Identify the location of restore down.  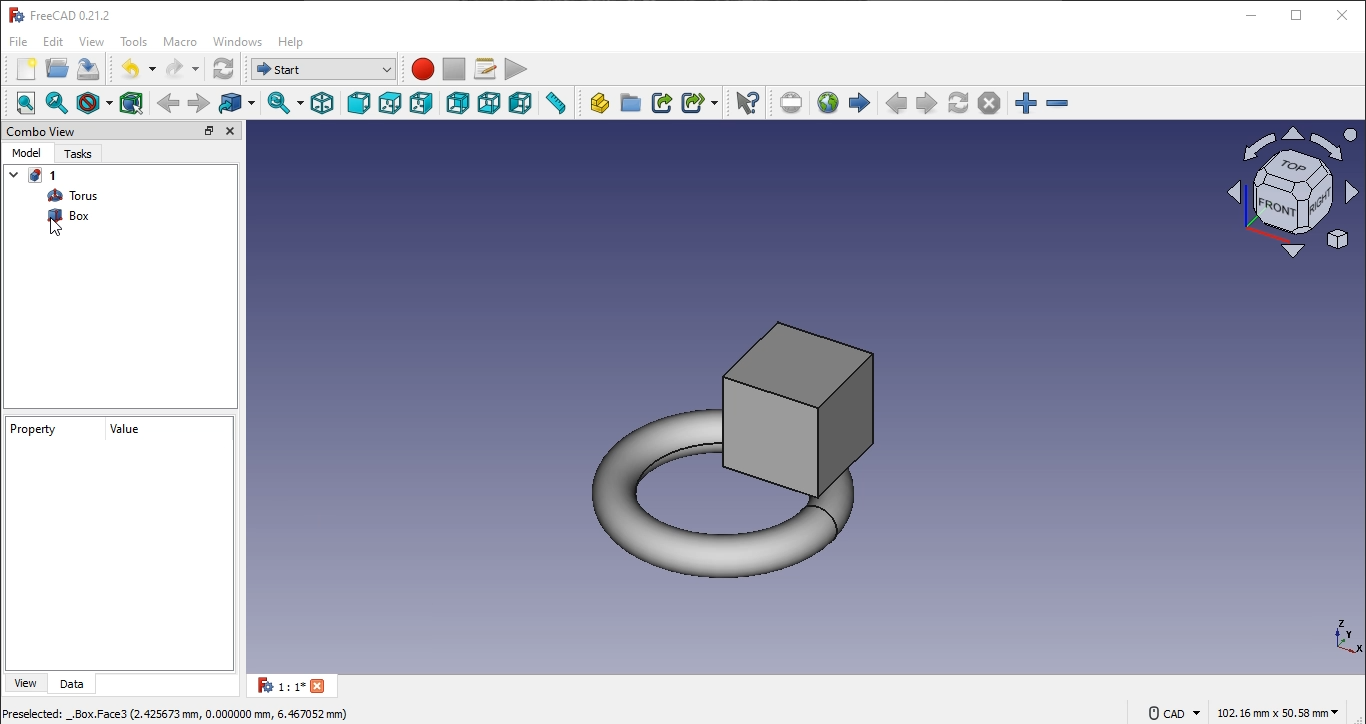
(1298, 15).